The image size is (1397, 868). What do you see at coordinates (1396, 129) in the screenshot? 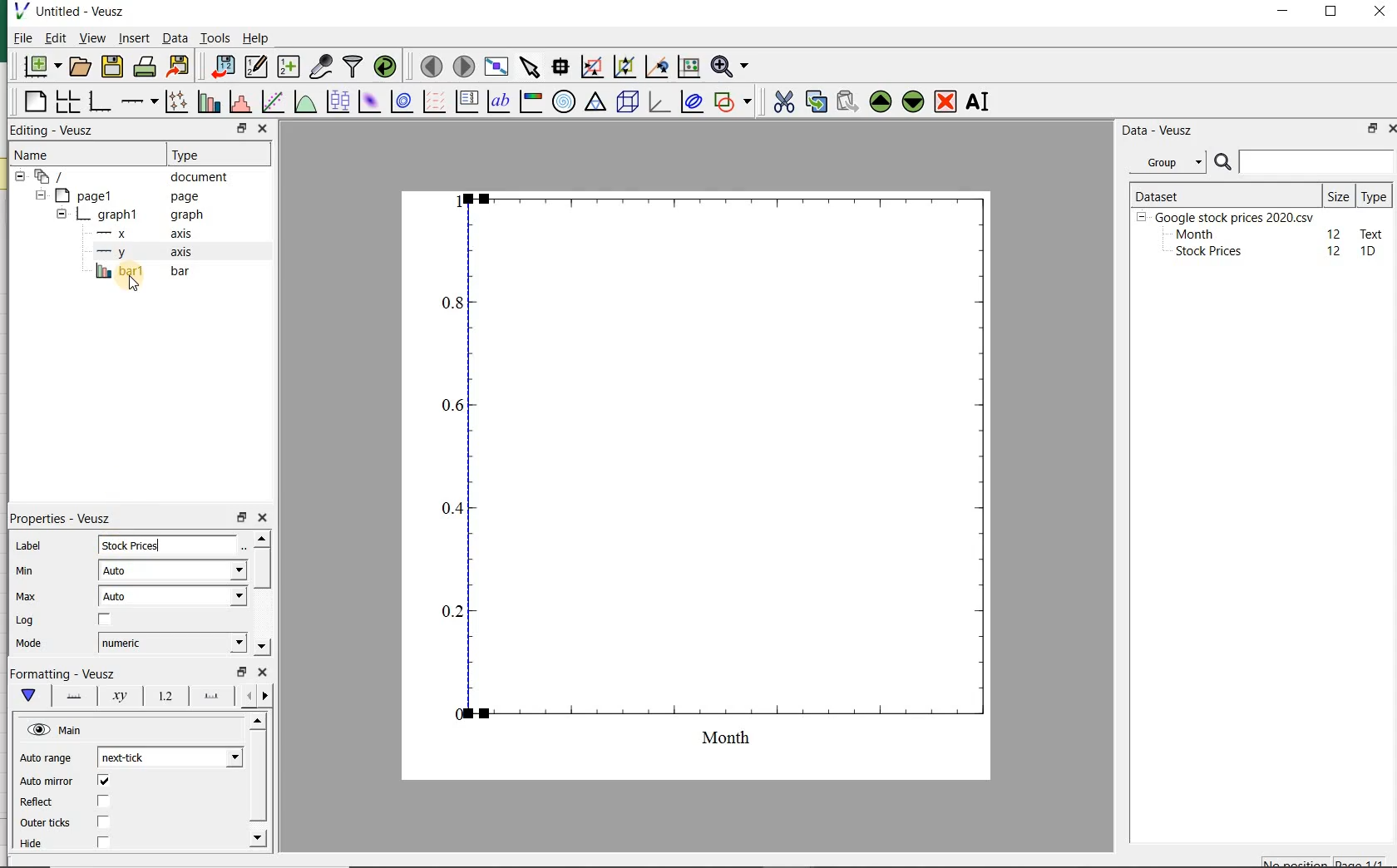
I see `close ` at bounding box center [1396, 129].